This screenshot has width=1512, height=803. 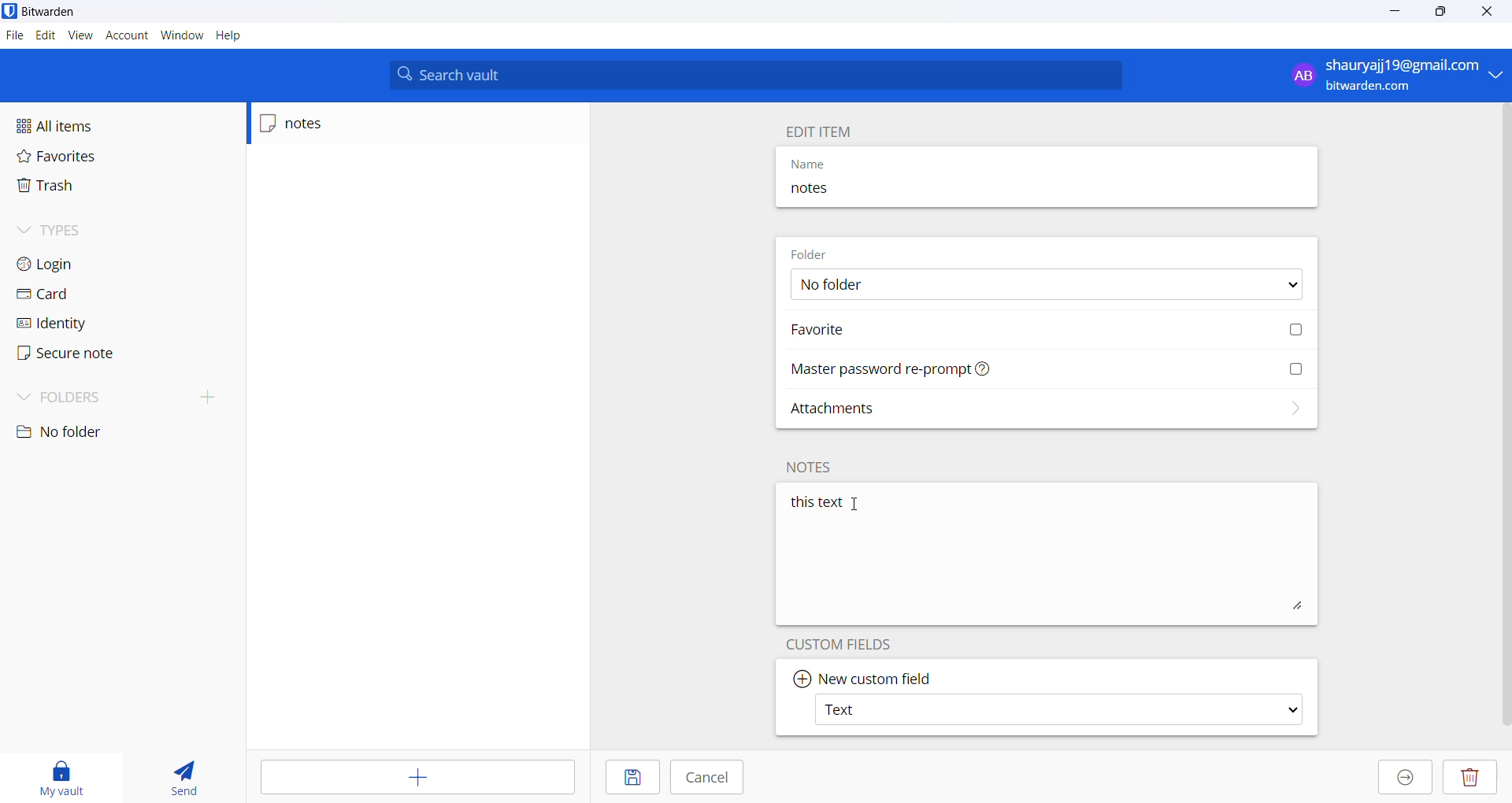 I want to click on this text, so click(x=1043, y=556).